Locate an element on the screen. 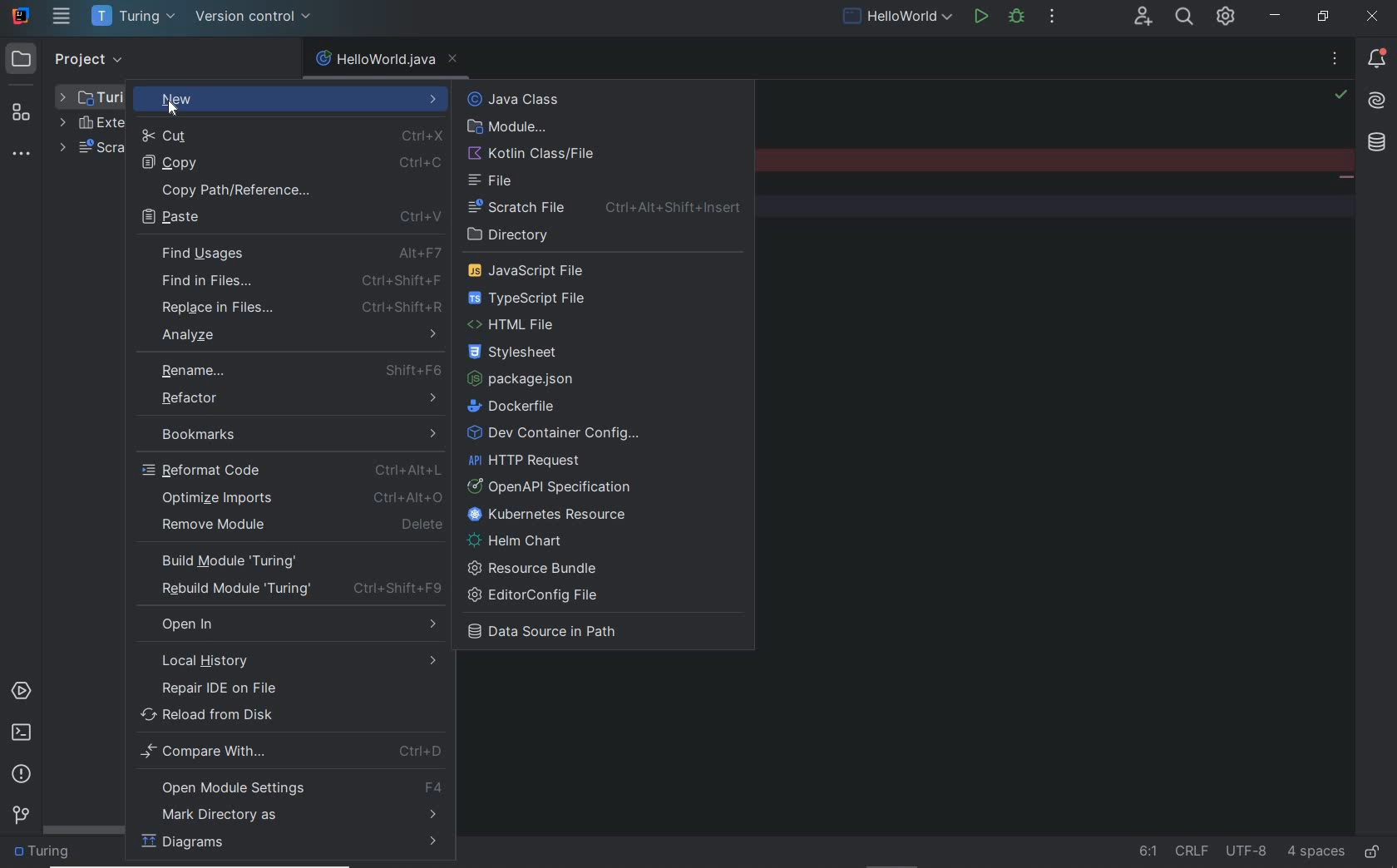 This screenshot has height=868, width=1397. resource bundle is located at coordinates (537, 567).